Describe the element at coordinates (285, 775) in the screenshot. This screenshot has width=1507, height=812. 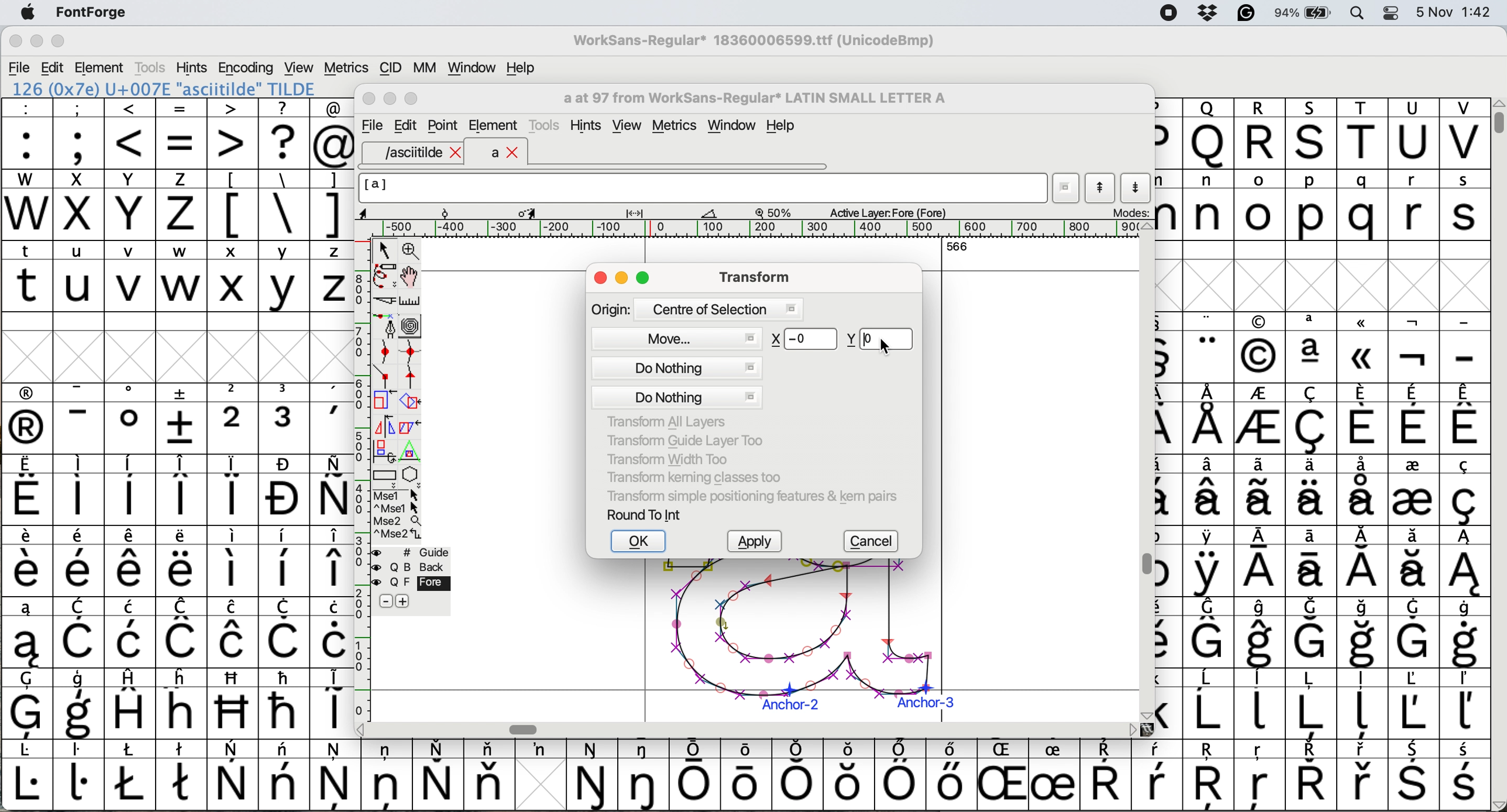
I see `symbol` at that location.